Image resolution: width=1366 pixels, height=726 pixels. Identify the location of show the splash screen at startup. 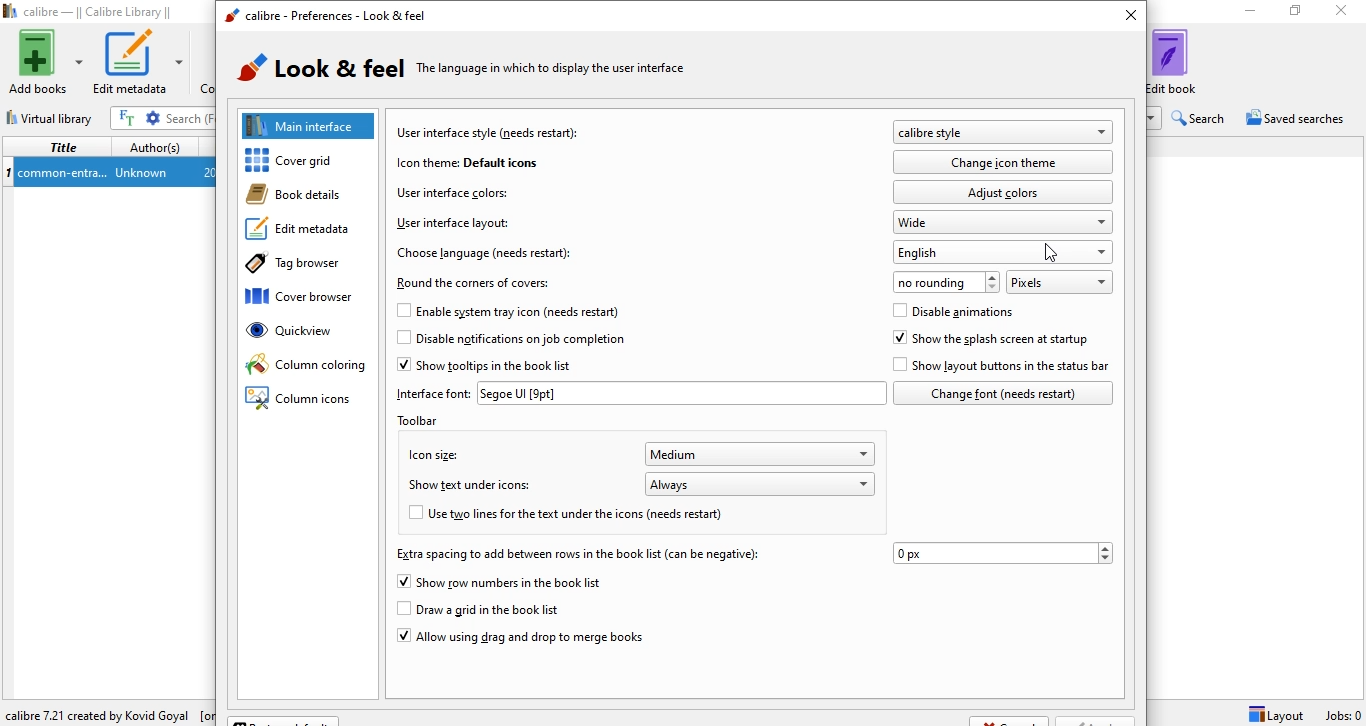
(991, 339).